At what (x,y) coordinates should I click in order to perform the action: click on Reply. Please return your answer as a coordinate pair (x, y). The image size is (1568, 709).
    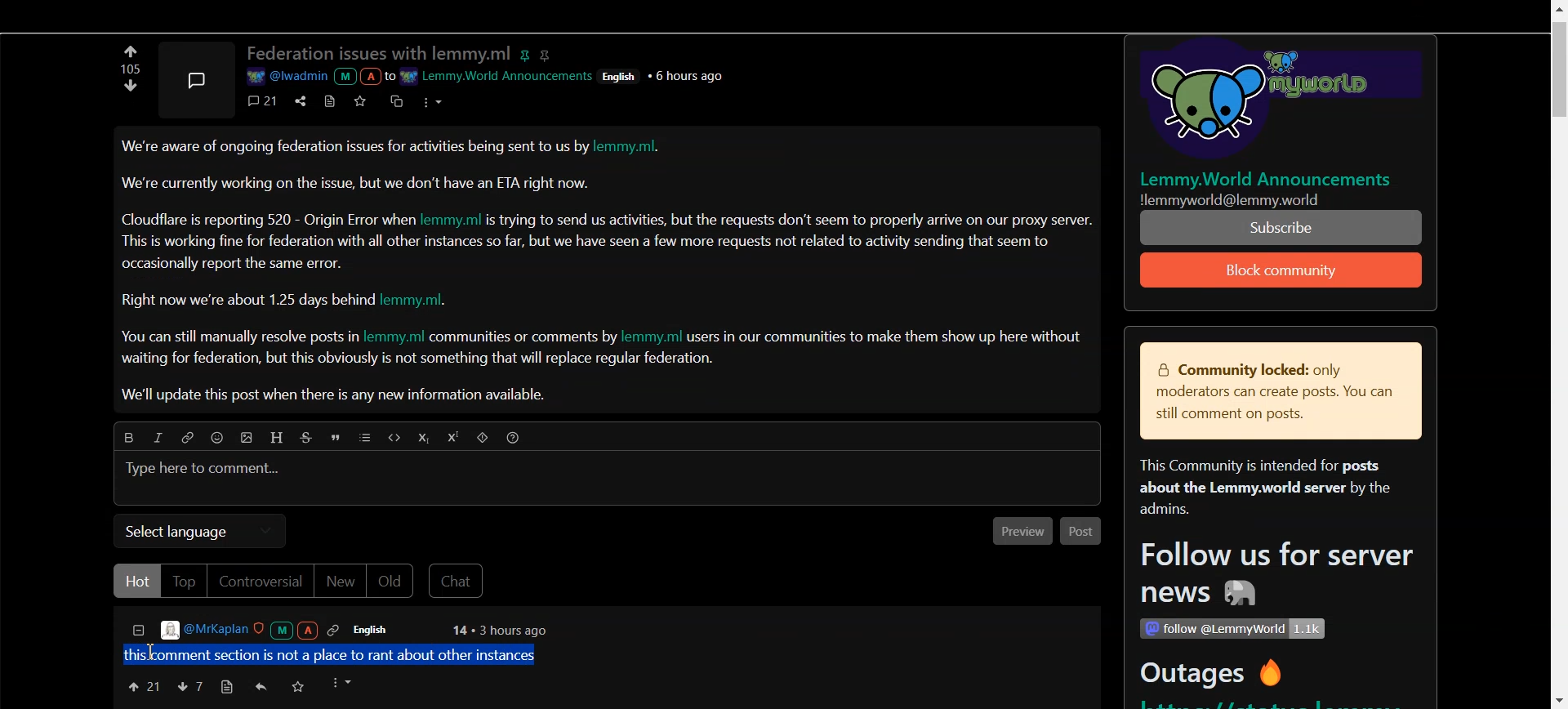
    Looking at the image, I should click on (262, 687).